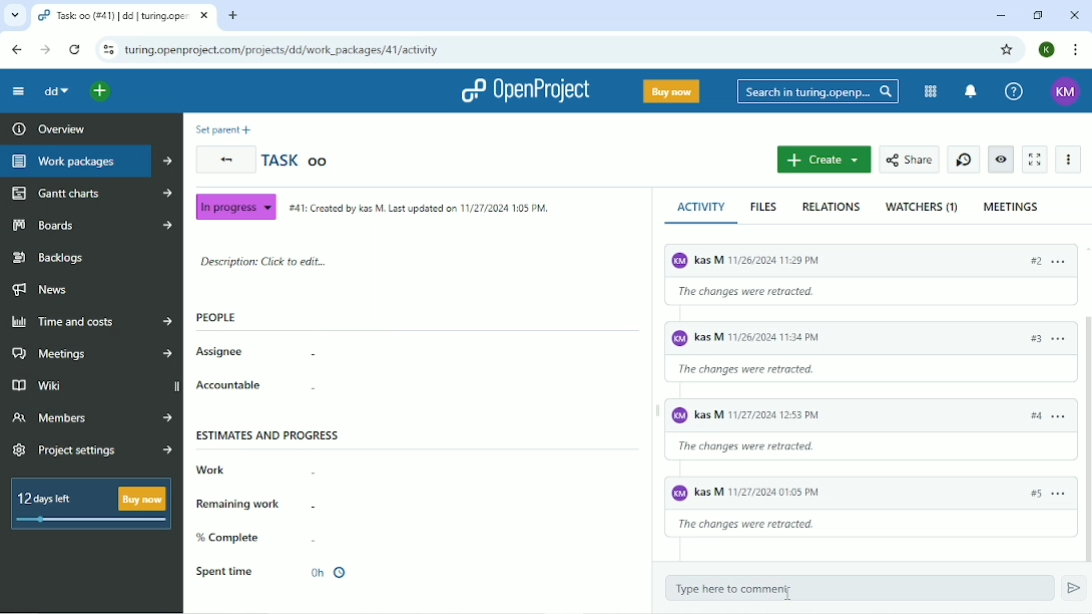  Describe the element at coordinates (748, 416) in the screenshot. I see `KM Kas M 11/26/2024 11:29 PM 12:53 PM` at that location.